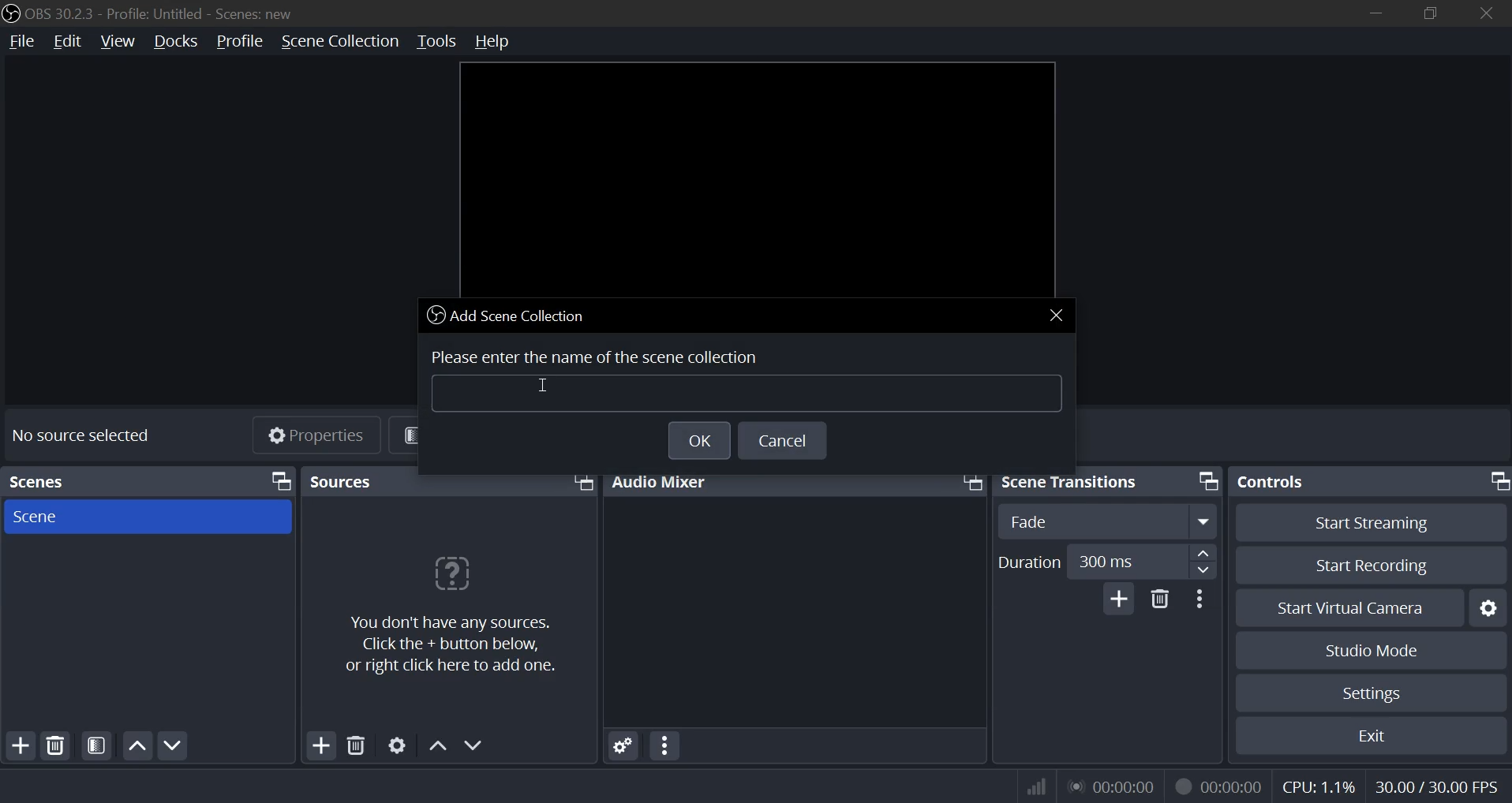 The height and width of the screenshot is (803, 1512). What do you see at coordinates (1374, 652) in the screenshot?
I see `studio mode` at bounding box center [1374, 652].